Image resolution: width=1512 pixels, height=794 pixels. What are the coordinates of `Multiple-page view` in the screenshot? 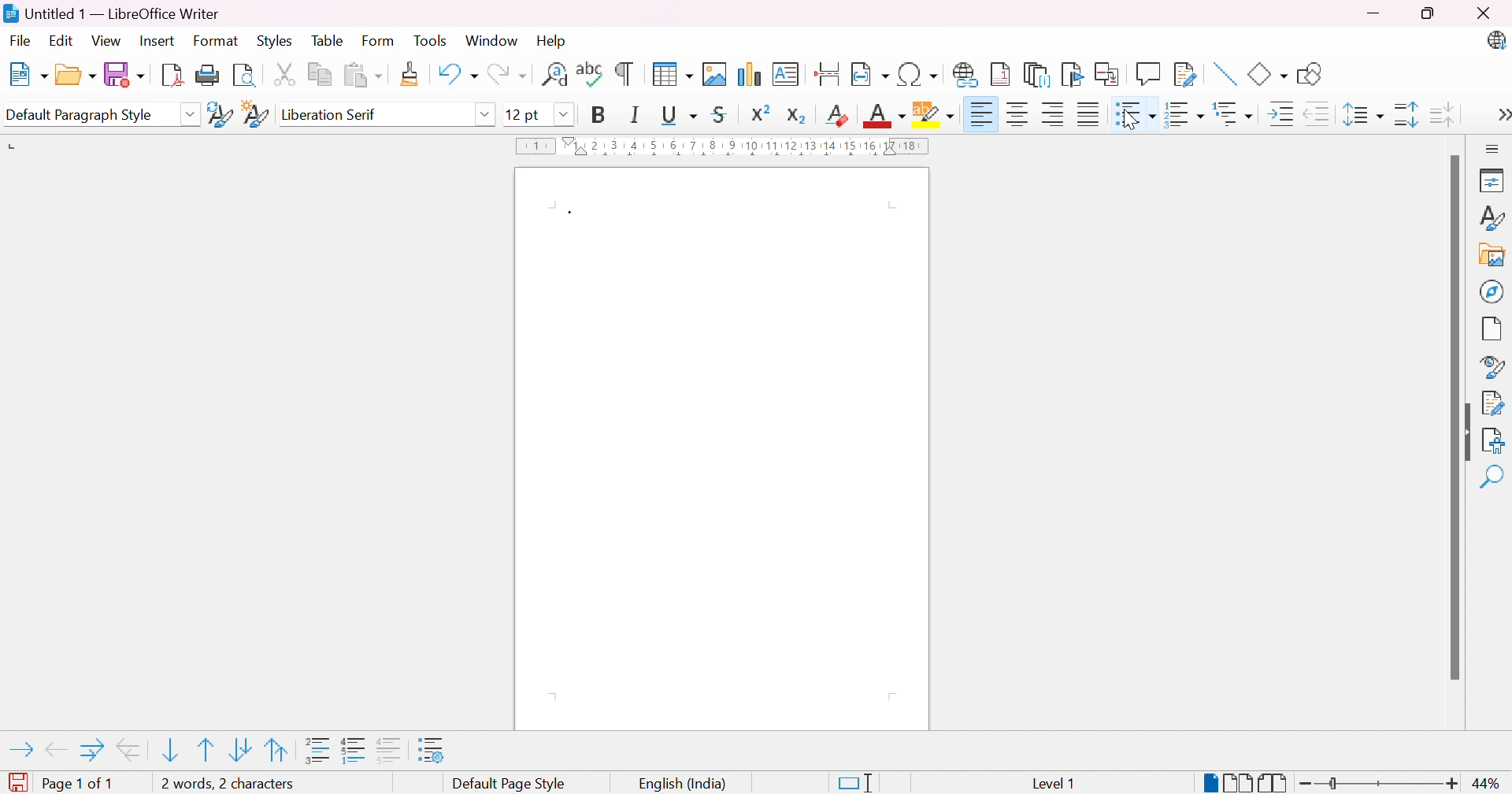 It's located at (1238, 784).